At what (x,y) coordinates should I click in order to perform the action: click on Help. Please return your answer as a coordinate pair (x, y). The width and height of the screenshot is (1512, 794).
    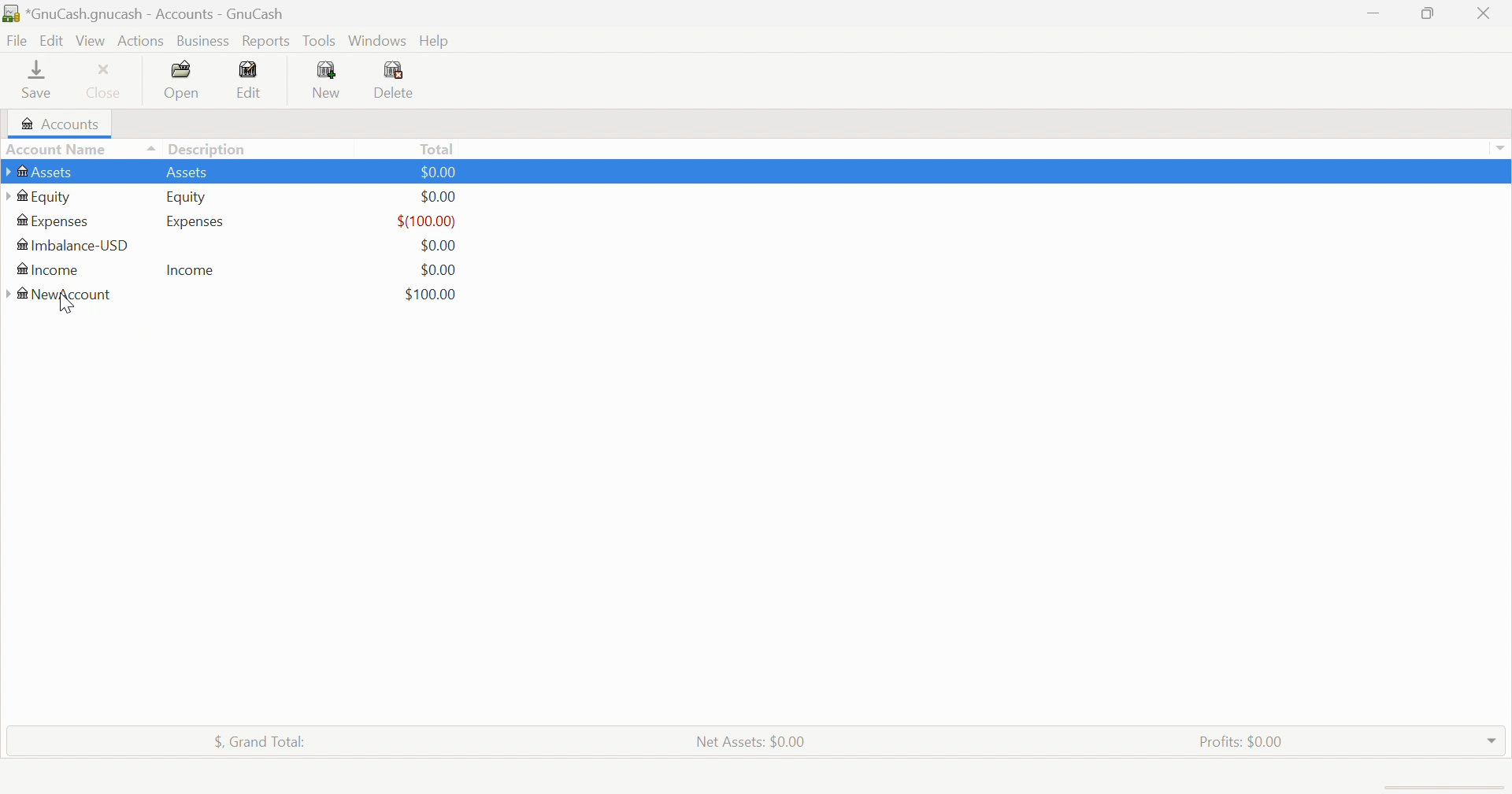
    Looking at the image, I should click on (434, 42).